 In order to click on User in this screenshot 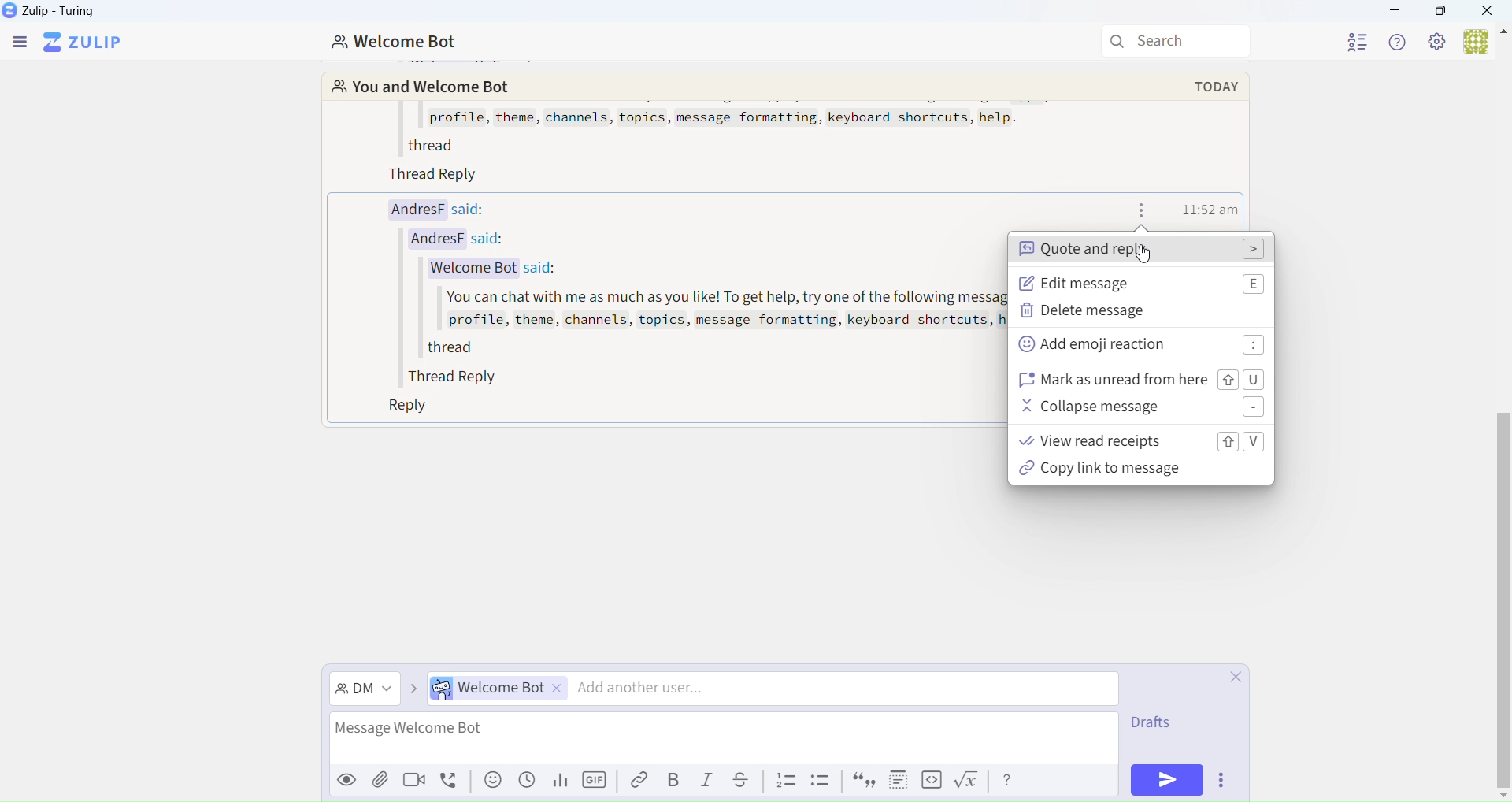, I will do `click(1487, 42)`.